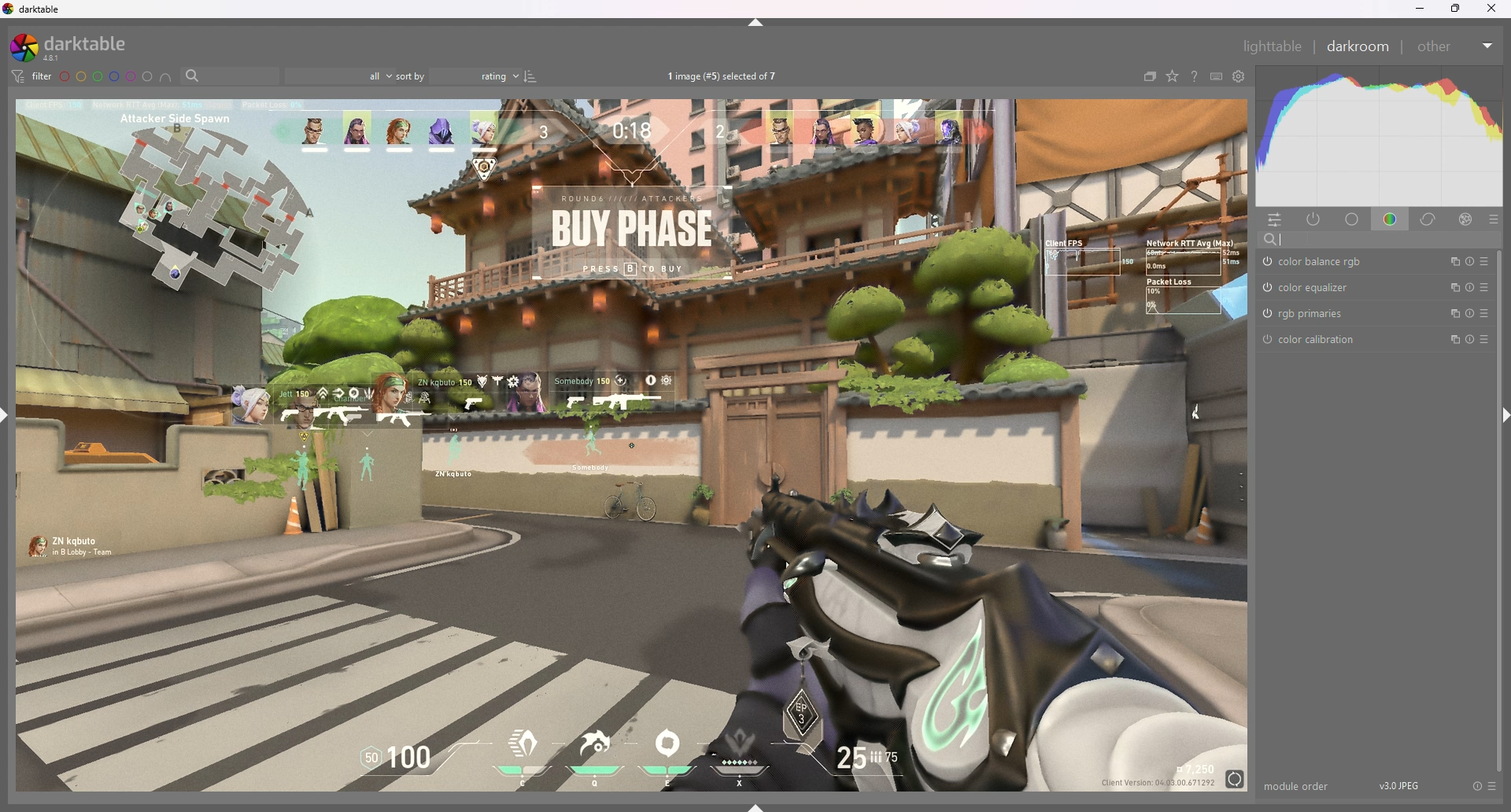  What do you see at coordinates (1149, 76) in the screenshot?
I see `collapse grouped images` at bounding box center [1149, 76].